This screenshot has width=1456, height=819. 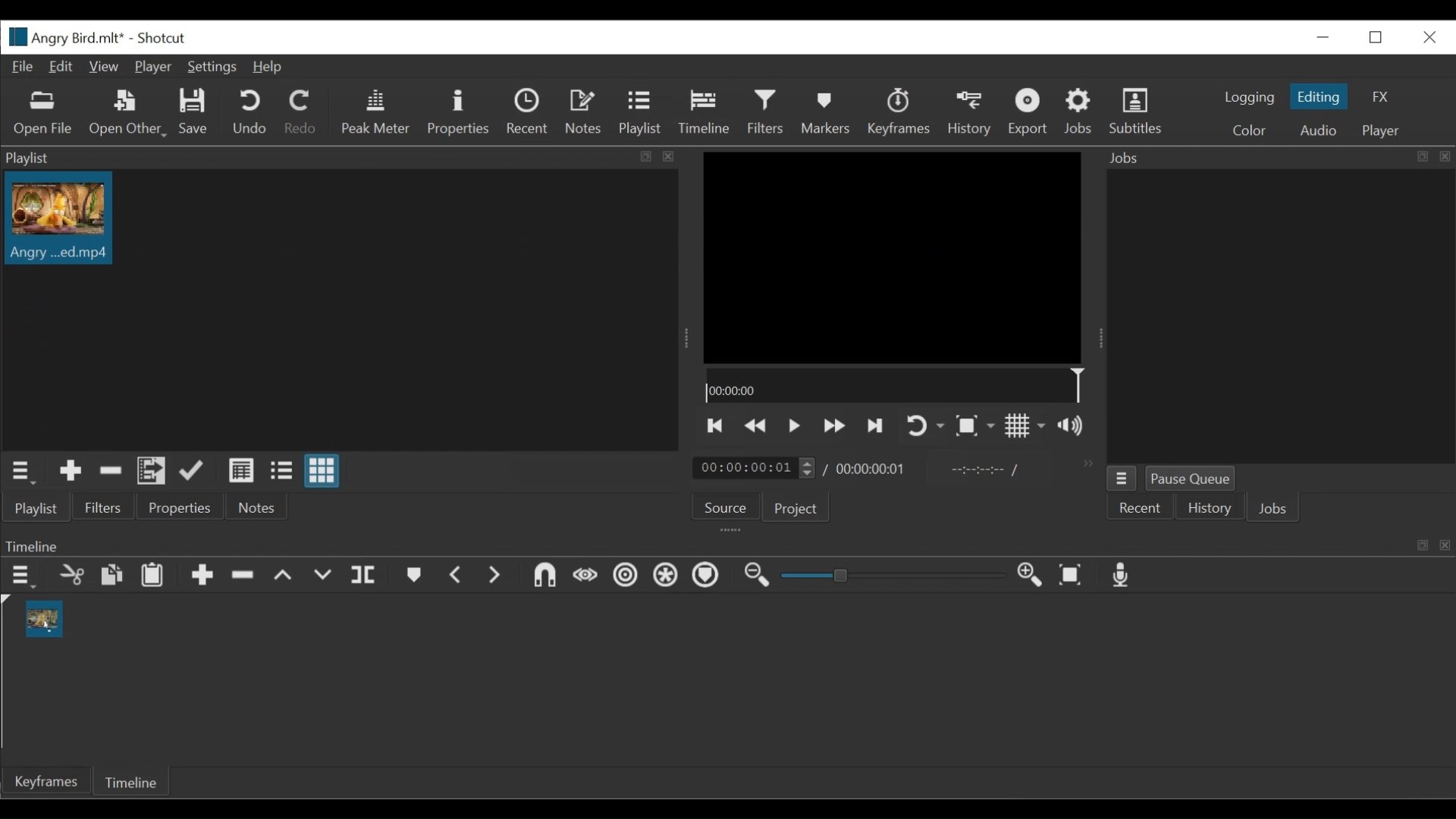 I want to click on Ripple all tracks, so click(x=667, y=576).